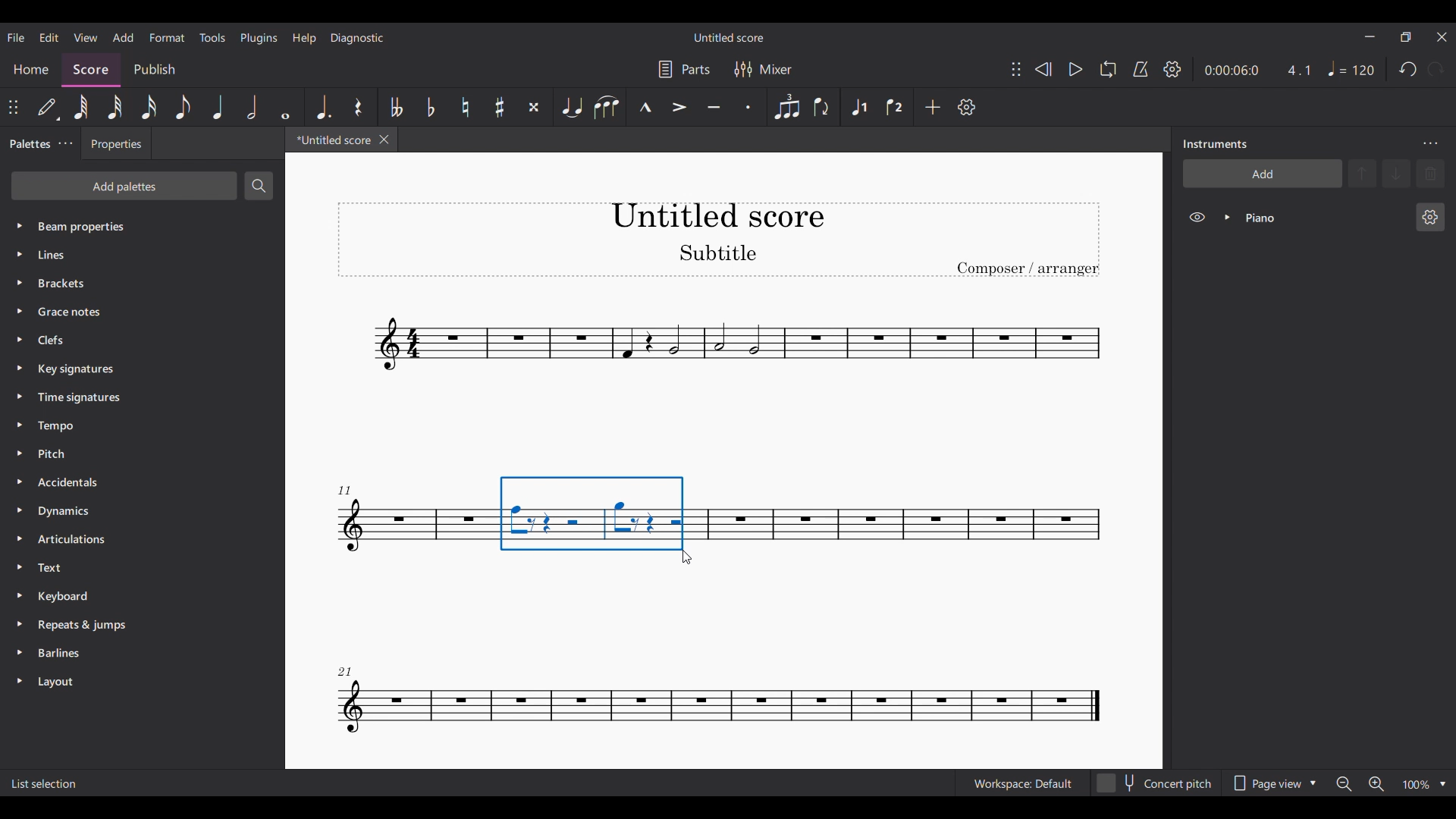 The width and height of the screenshot is (1456, 819). What do you see at coordinates (329, 143) in the screenshot?
I see `Current score` at bounding box center [329, 143].